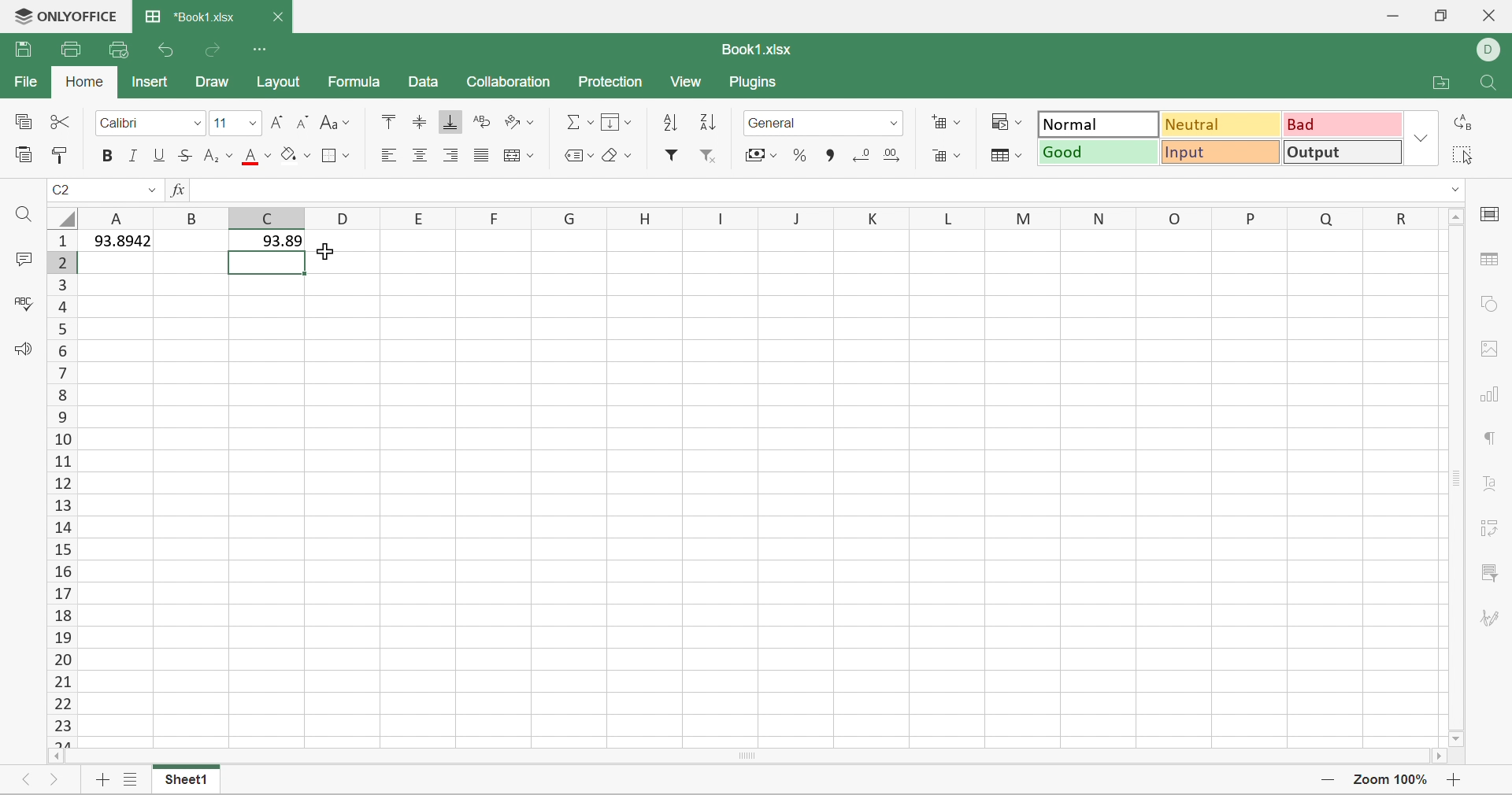  What do you see at coordinates (183, 782) in the screenshot?
I see `Sheet1` at bounding box center [183, 782].